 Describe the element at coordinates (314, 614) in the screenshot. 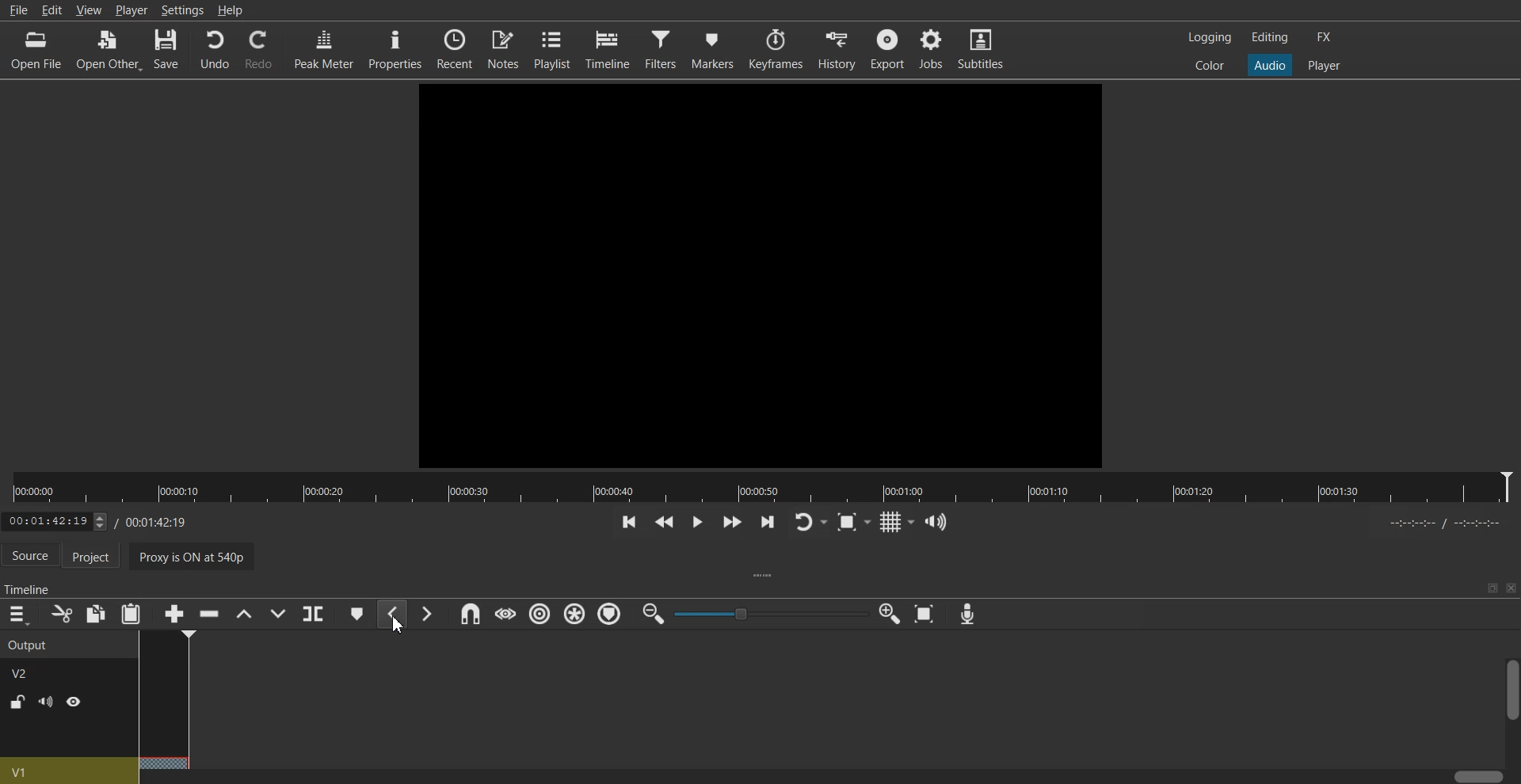

I see `Split on playhead` at that location.